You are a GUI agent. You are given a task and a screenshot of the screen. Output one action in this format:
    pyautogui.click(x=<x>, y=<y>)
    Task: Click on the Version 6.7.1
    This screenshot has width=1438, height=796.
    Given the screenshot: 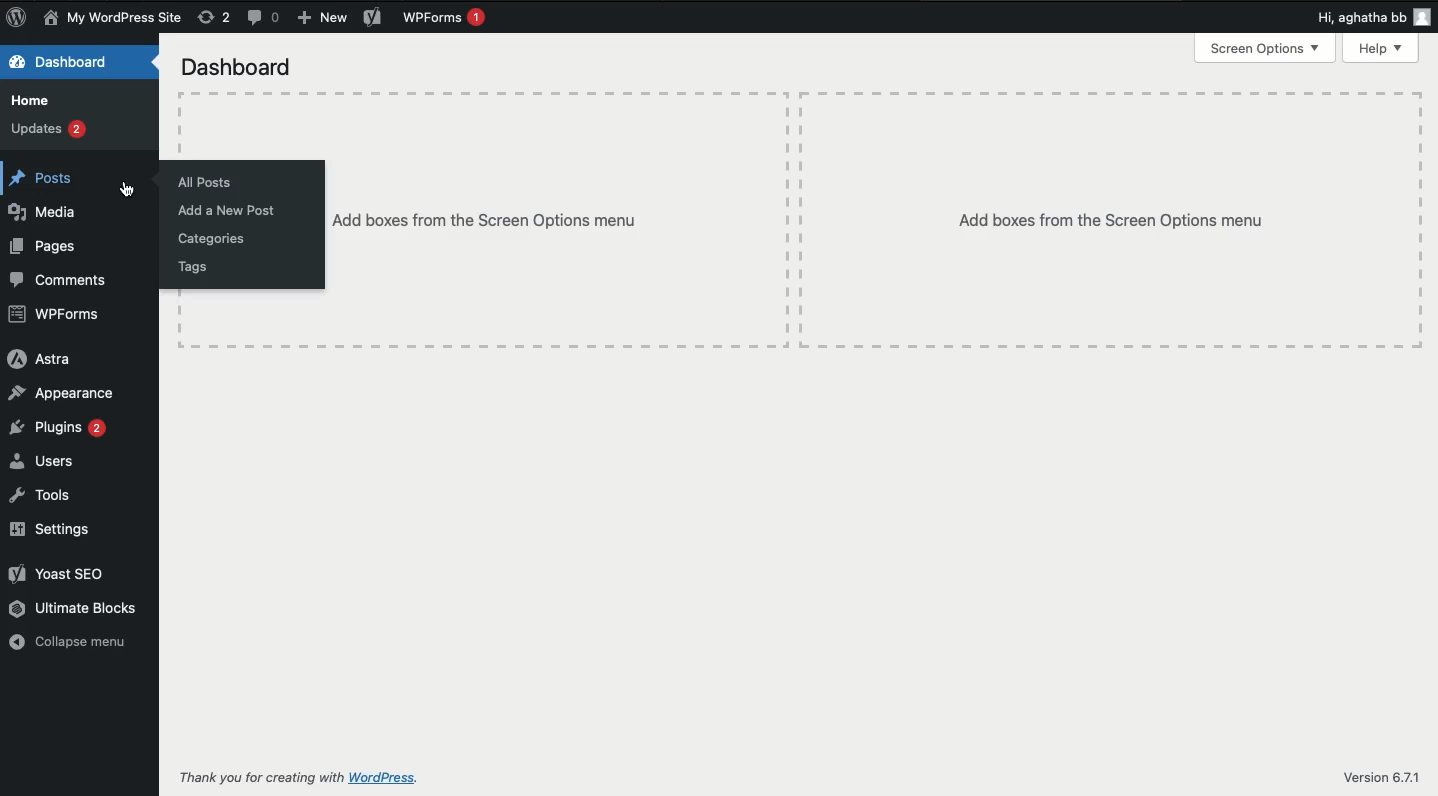 What is the action you would take?
    pyautogui.click(x=1380, y=776)
    